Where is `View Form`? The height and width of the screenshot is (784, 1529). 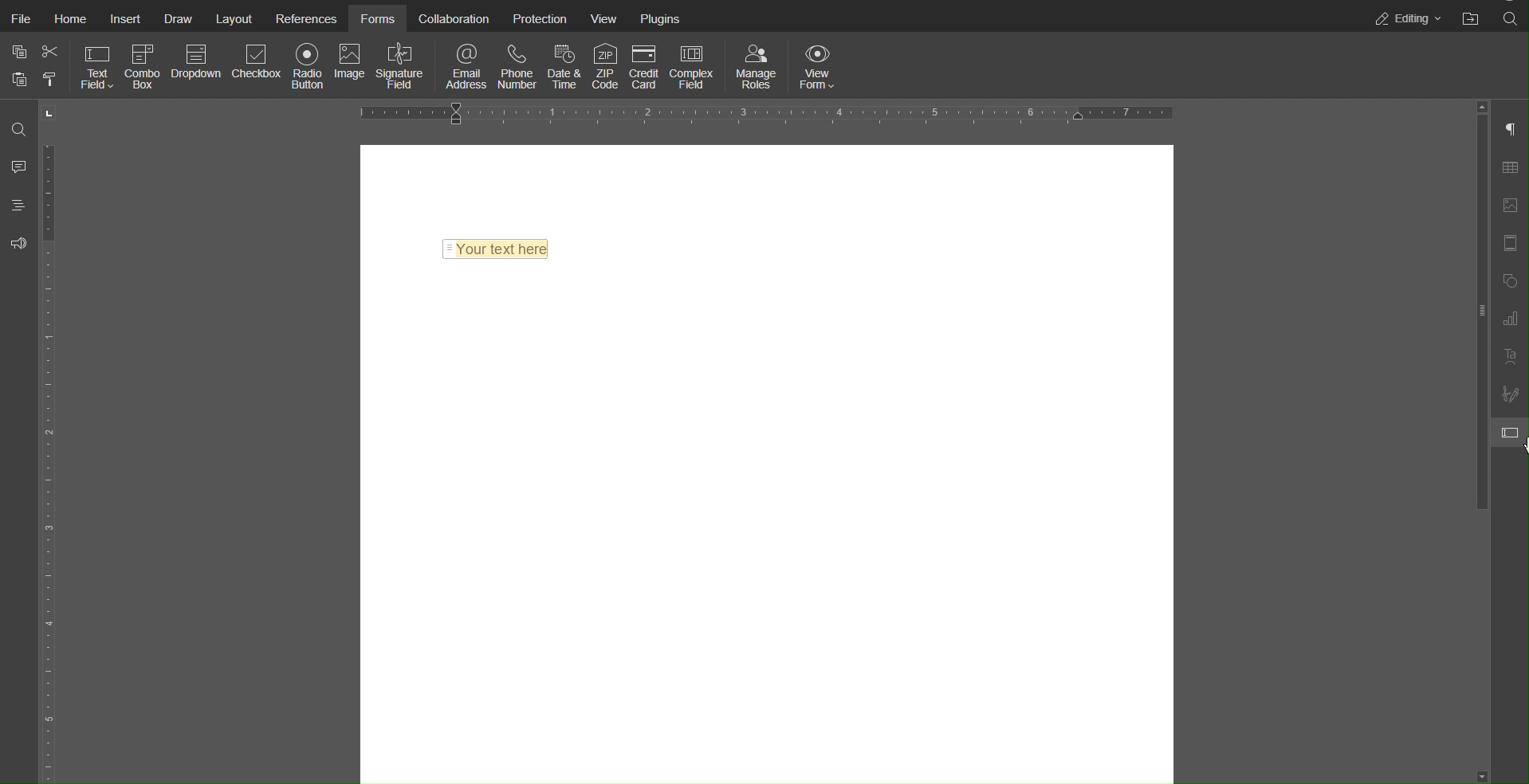 View Form is located at coordinates (820, 66).